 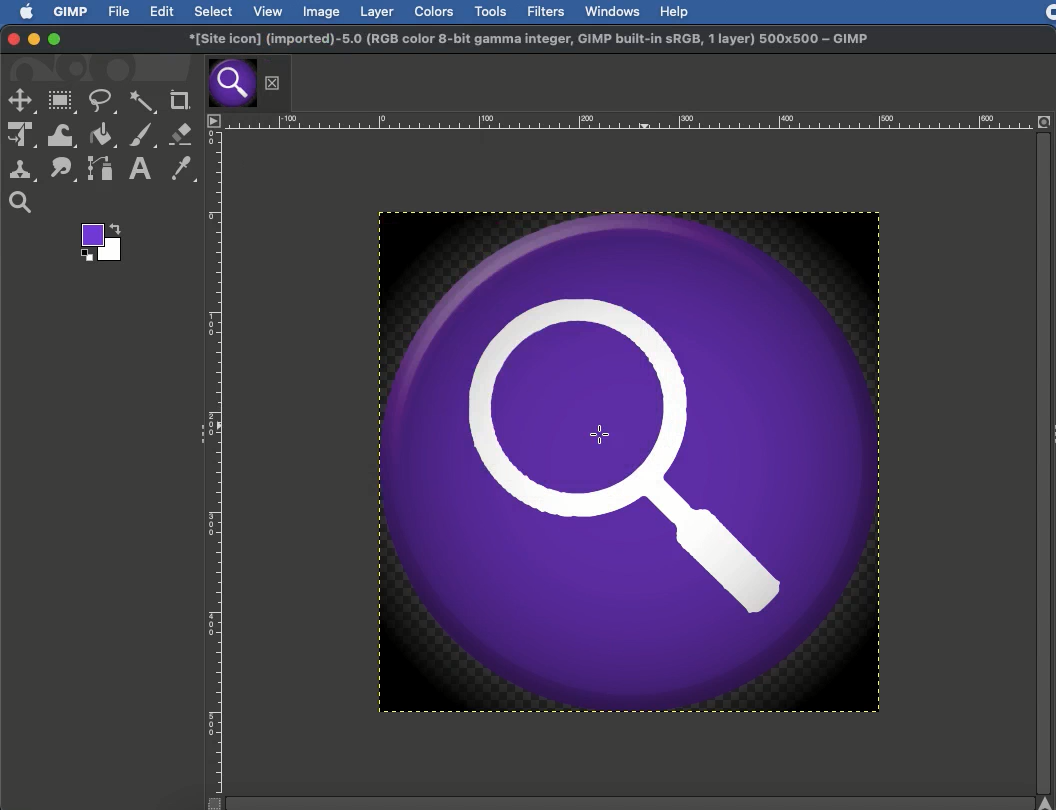 What do you see at coordinates (641, 121) in the screenshot?
I see `Scale` at bounding box center [641, 121].